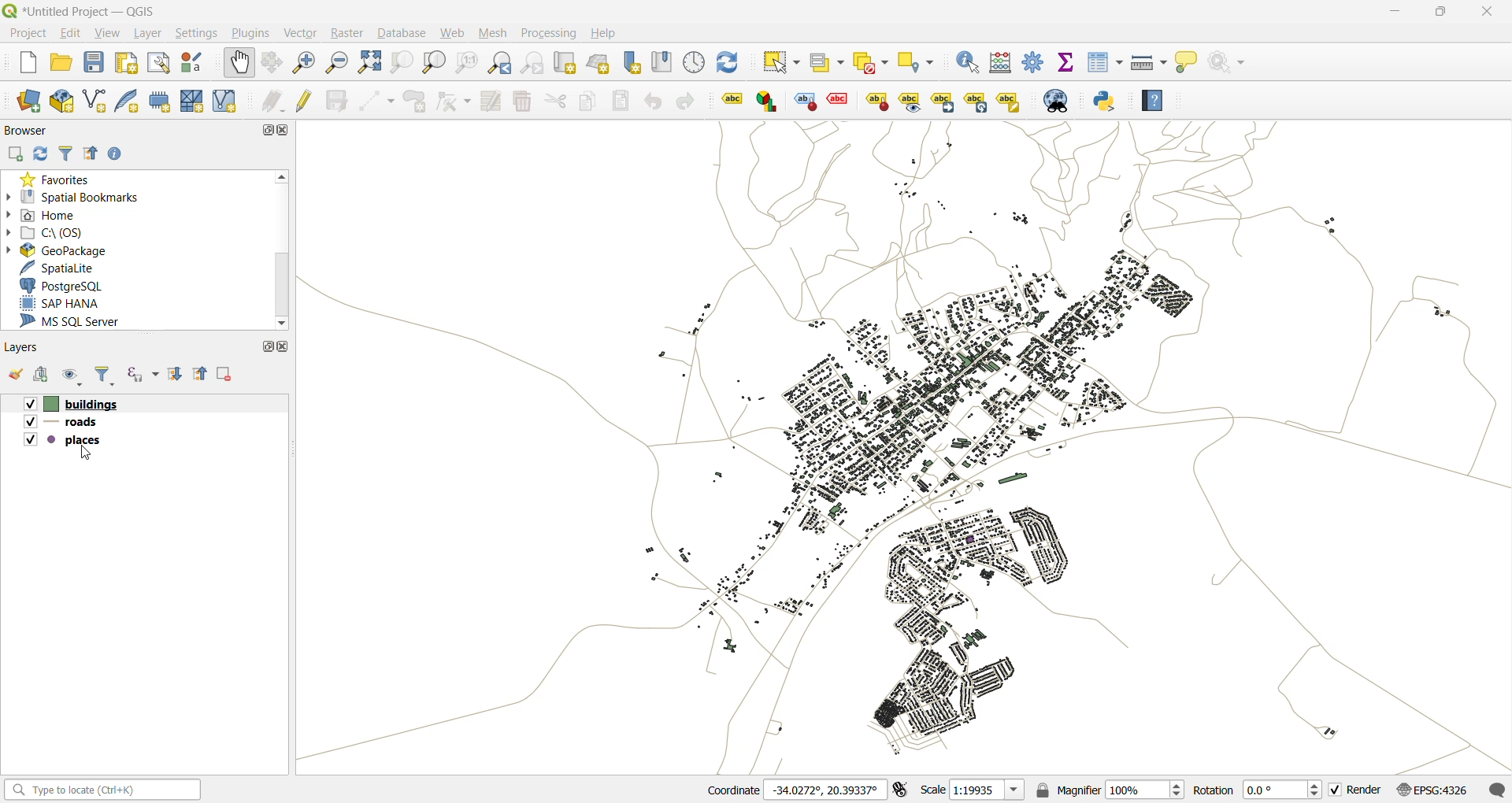 Image resolution: width=1512 pixels, height=803 pixels. Describe the element at coordinates (103, 376) in the screenshot. I see `filter` at that location.